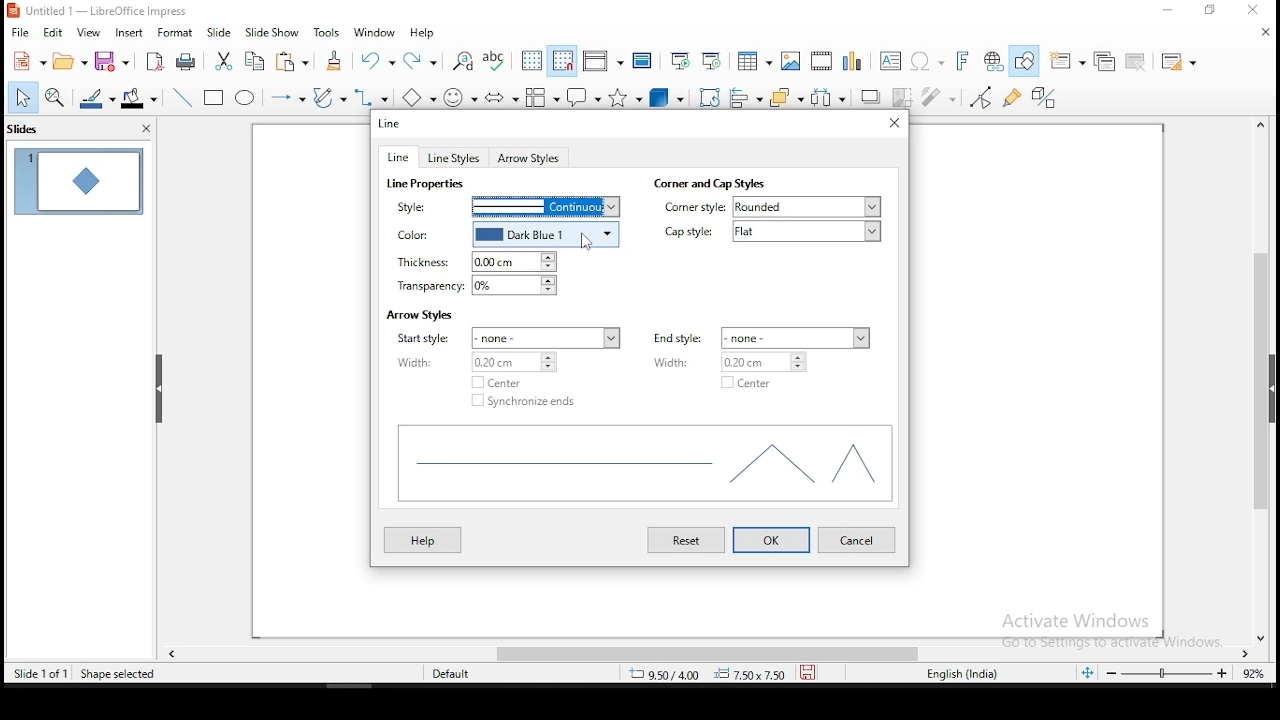 The width and height of the screenshot is (1280, 720). I want to click on spell check, so click(497, 59).